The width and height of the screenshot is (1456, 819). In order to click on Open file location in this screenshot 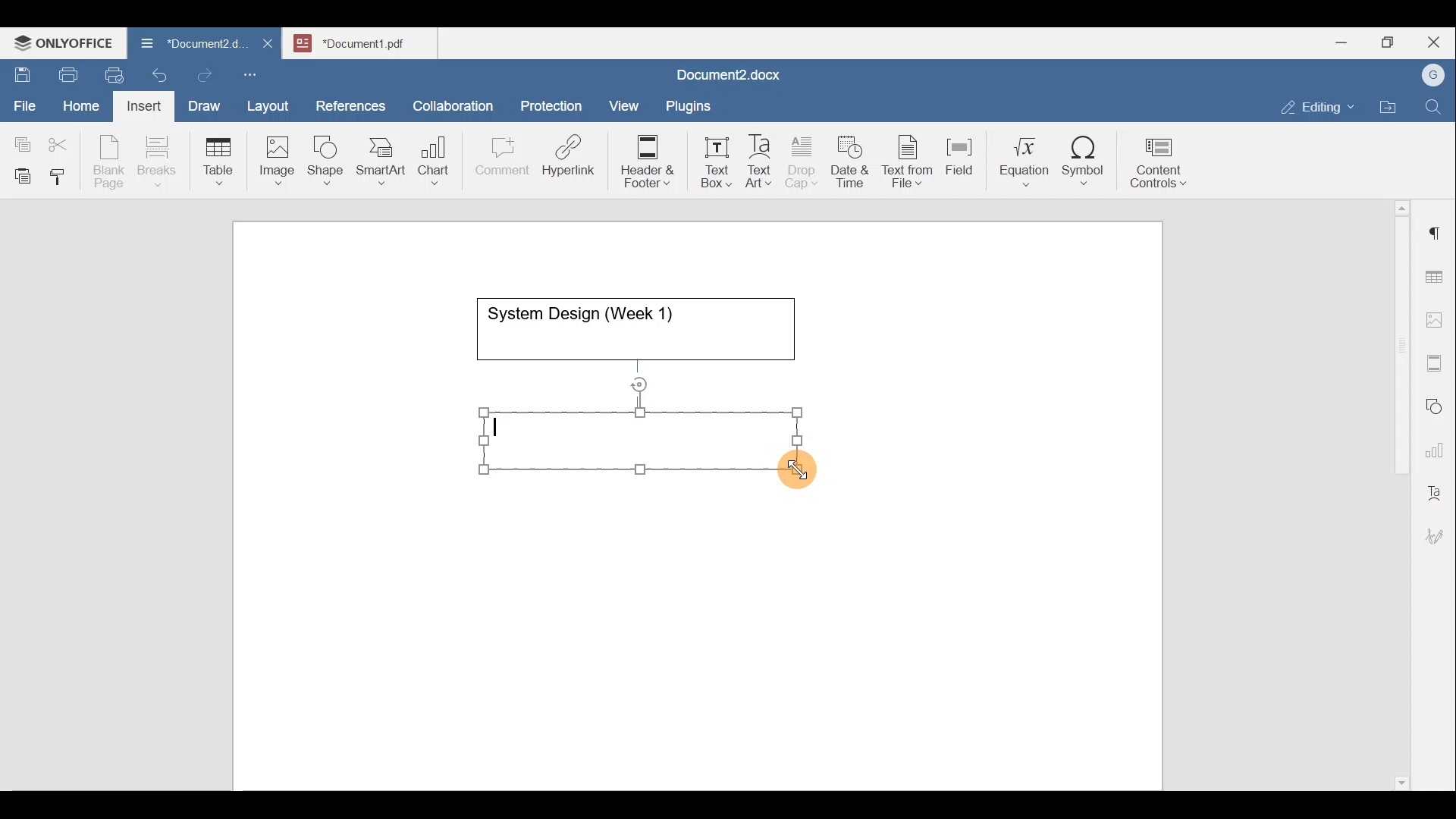, I will do `click(1392, 108)`.